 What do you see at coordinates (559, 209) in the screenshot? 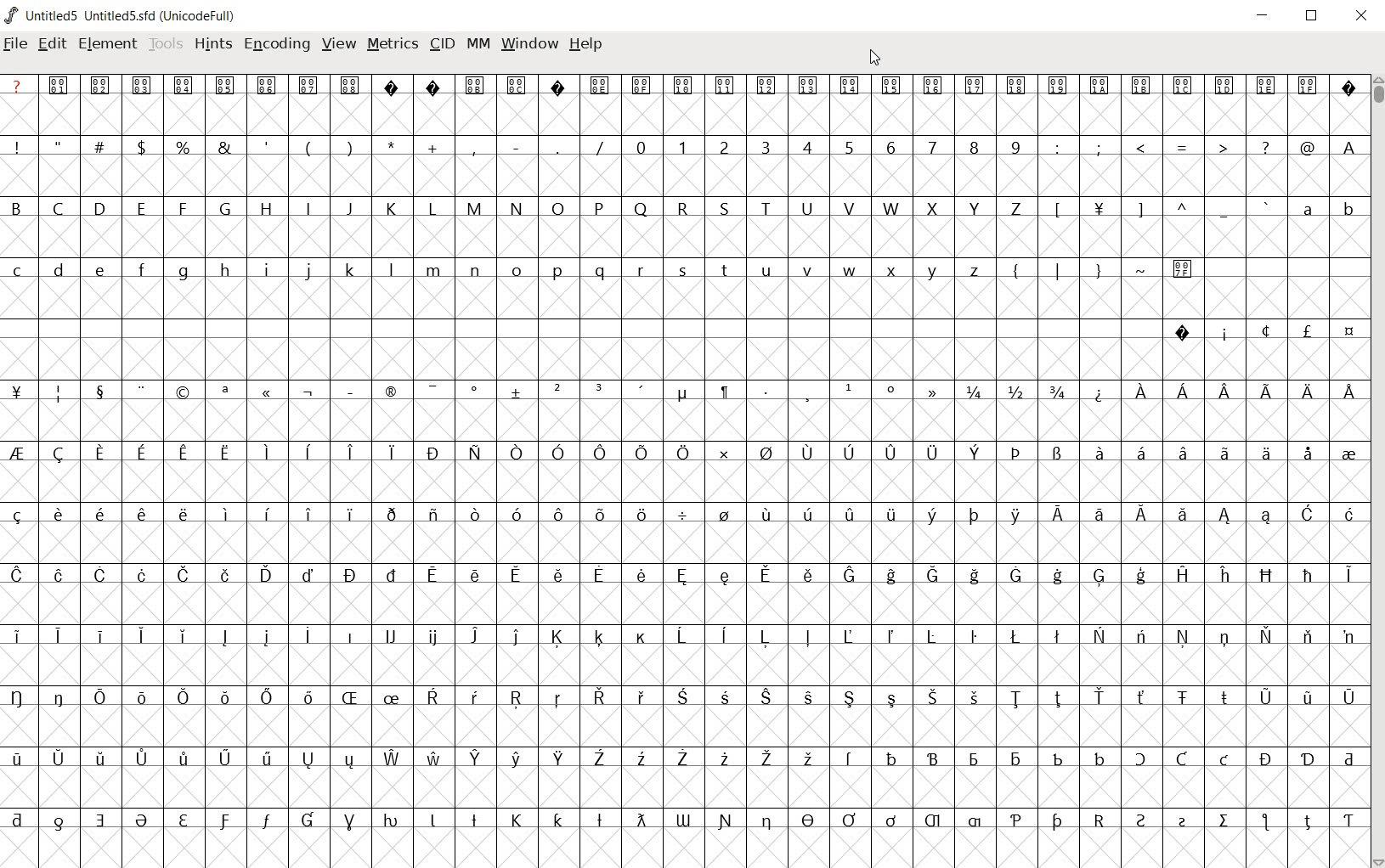
I see `O` at bounding box center [559, 209].